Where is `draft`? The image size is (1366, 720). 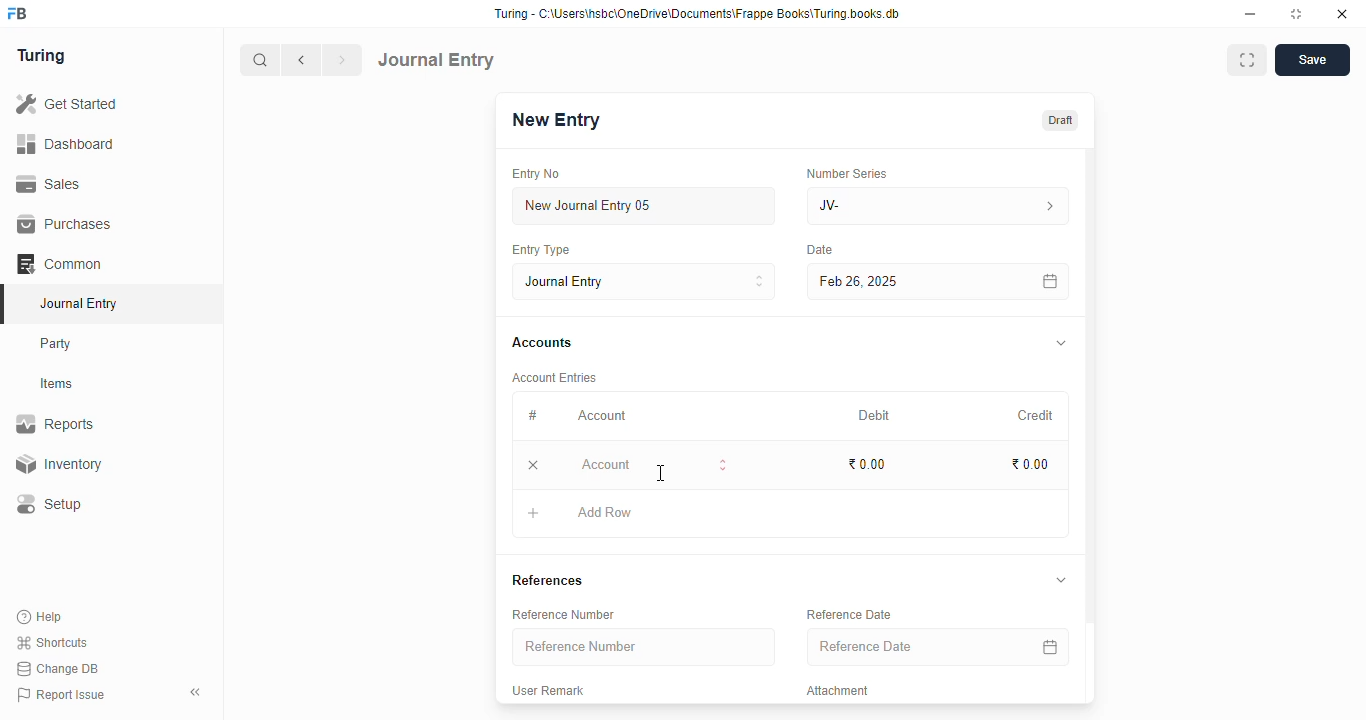 draft is located at coordinates (1059, 120).